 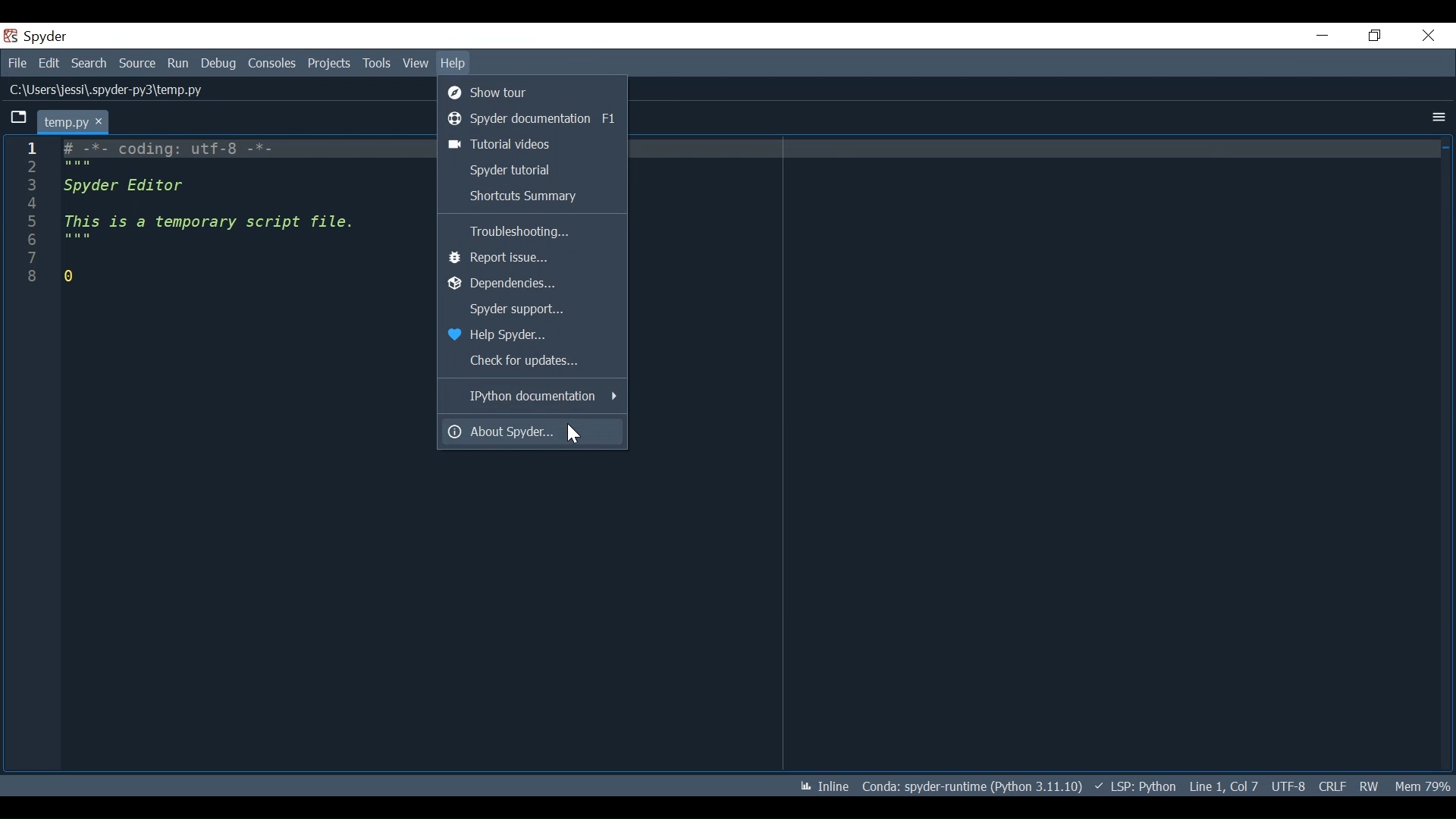 I want to click on Shortcuts Summary, so click(x=534, y=196).